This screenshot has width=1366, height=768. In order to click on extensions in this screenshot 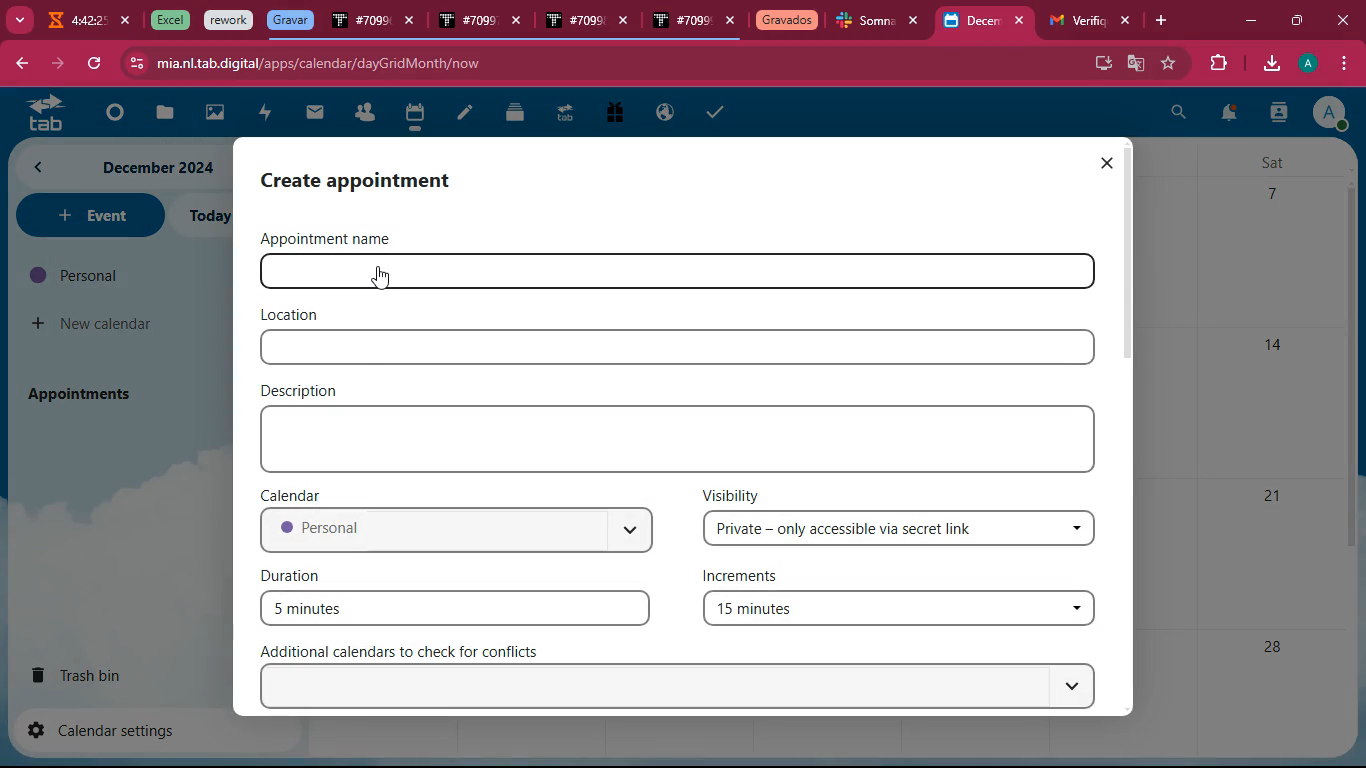, I will do `click(1215, 64)`.